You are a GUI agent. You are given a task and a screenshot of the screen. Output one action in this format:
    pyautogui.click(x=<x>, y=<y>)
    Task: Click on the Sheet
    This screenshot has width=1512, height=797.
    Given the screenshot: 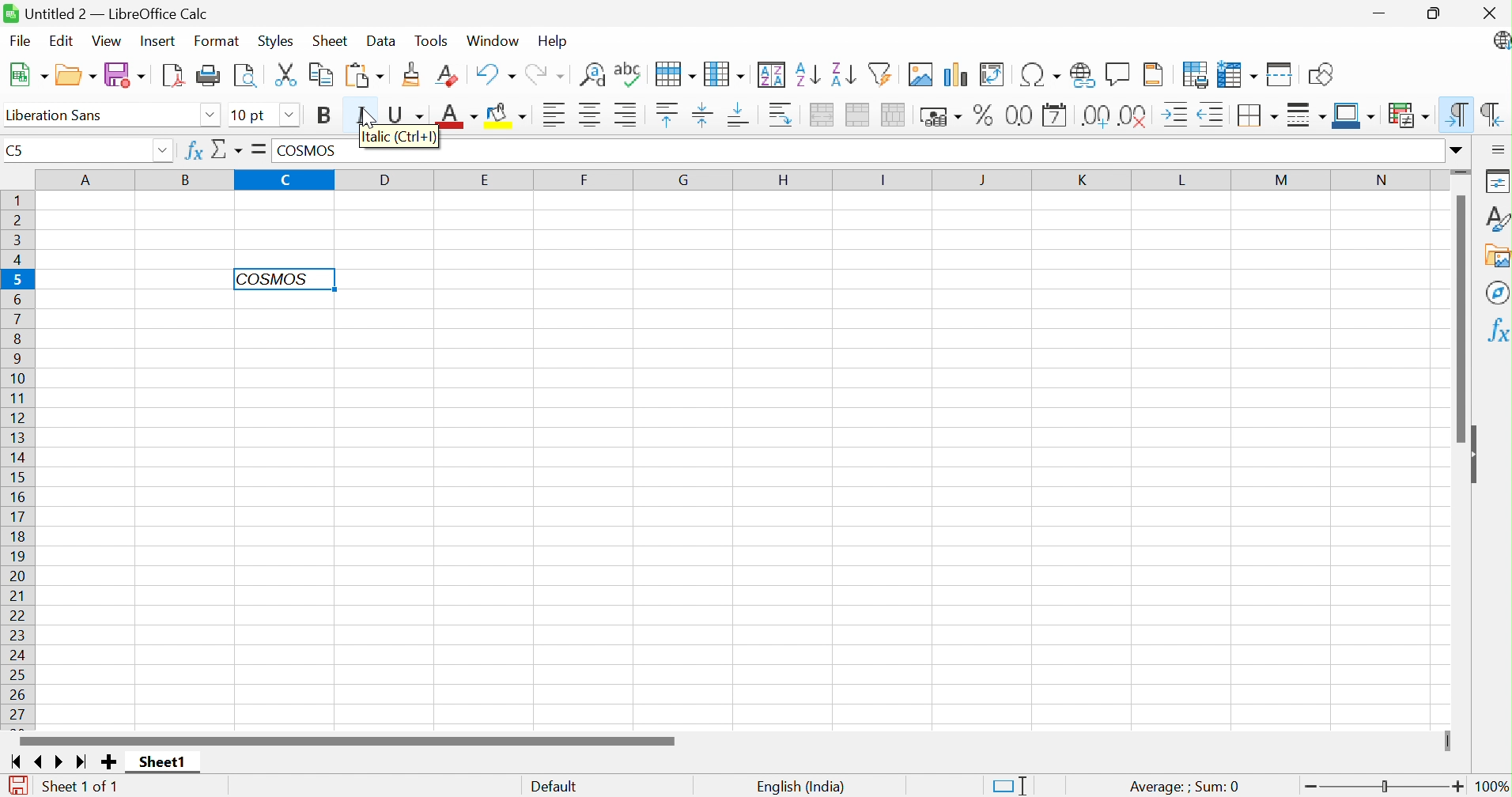 What is the action you would take?
    pyautogui.click(x=333, y=40)
    